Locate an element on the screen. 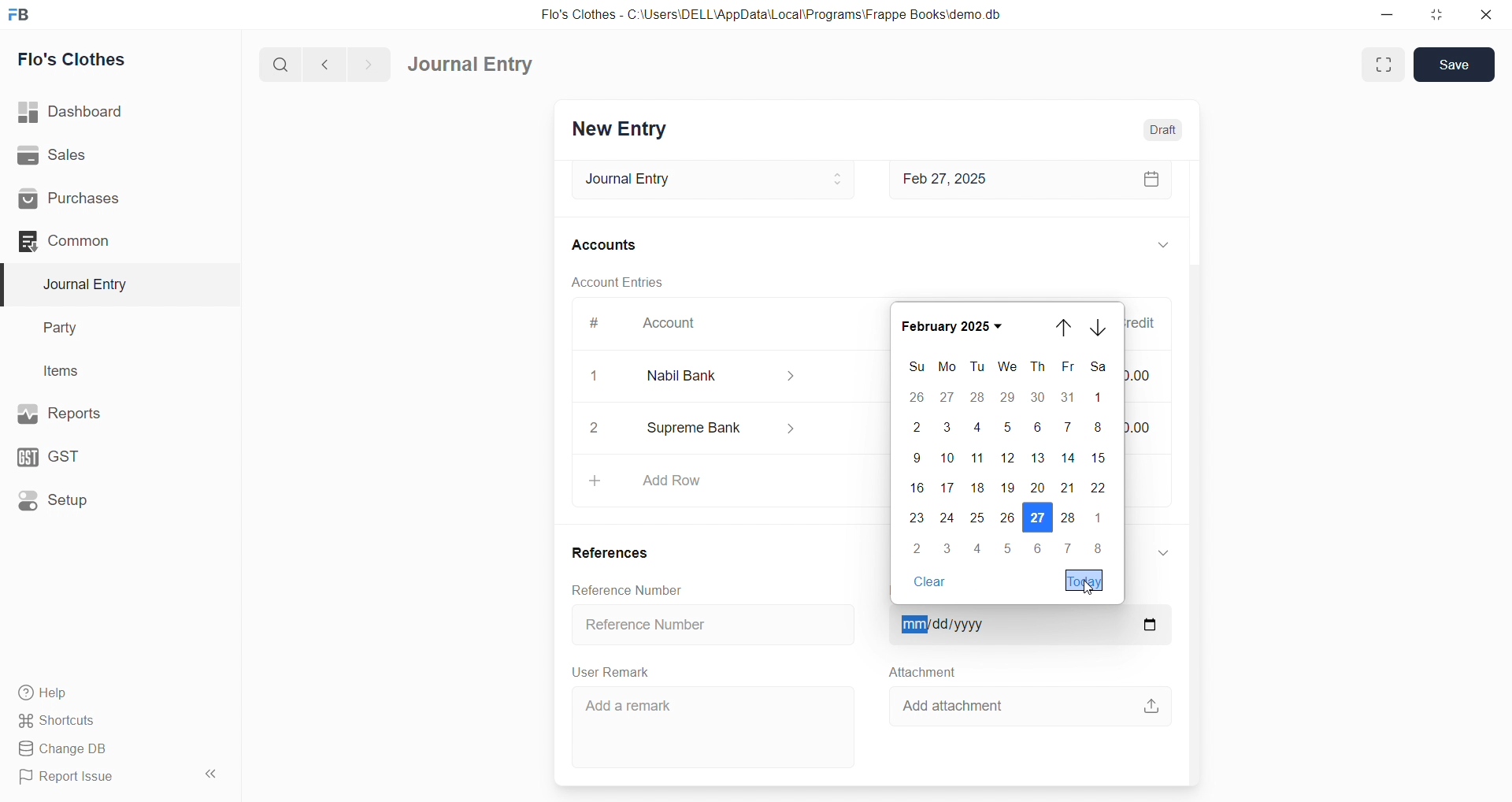 The image size is (1512, 802). 1 is located at coordinates (596, 377).